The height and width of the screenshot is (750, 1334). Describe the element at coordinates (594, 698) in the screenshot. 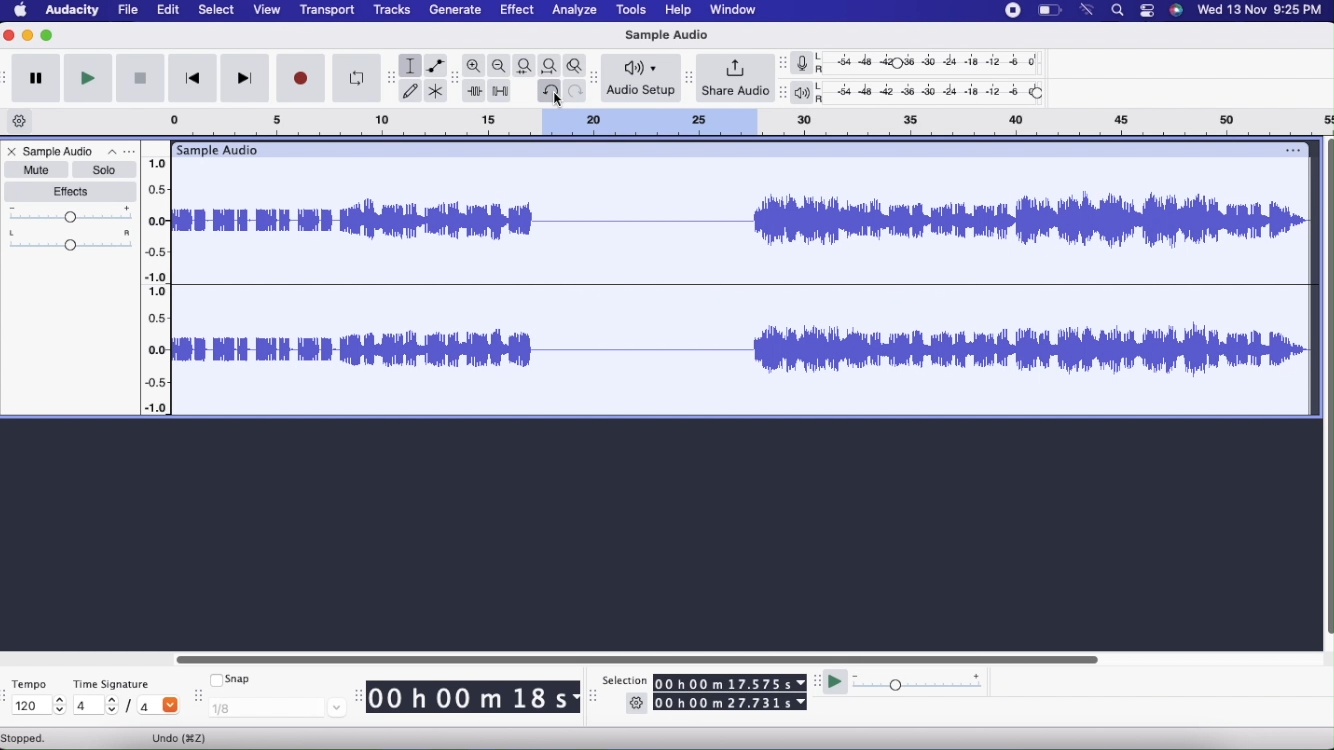

I see `move toolbar` at that location.